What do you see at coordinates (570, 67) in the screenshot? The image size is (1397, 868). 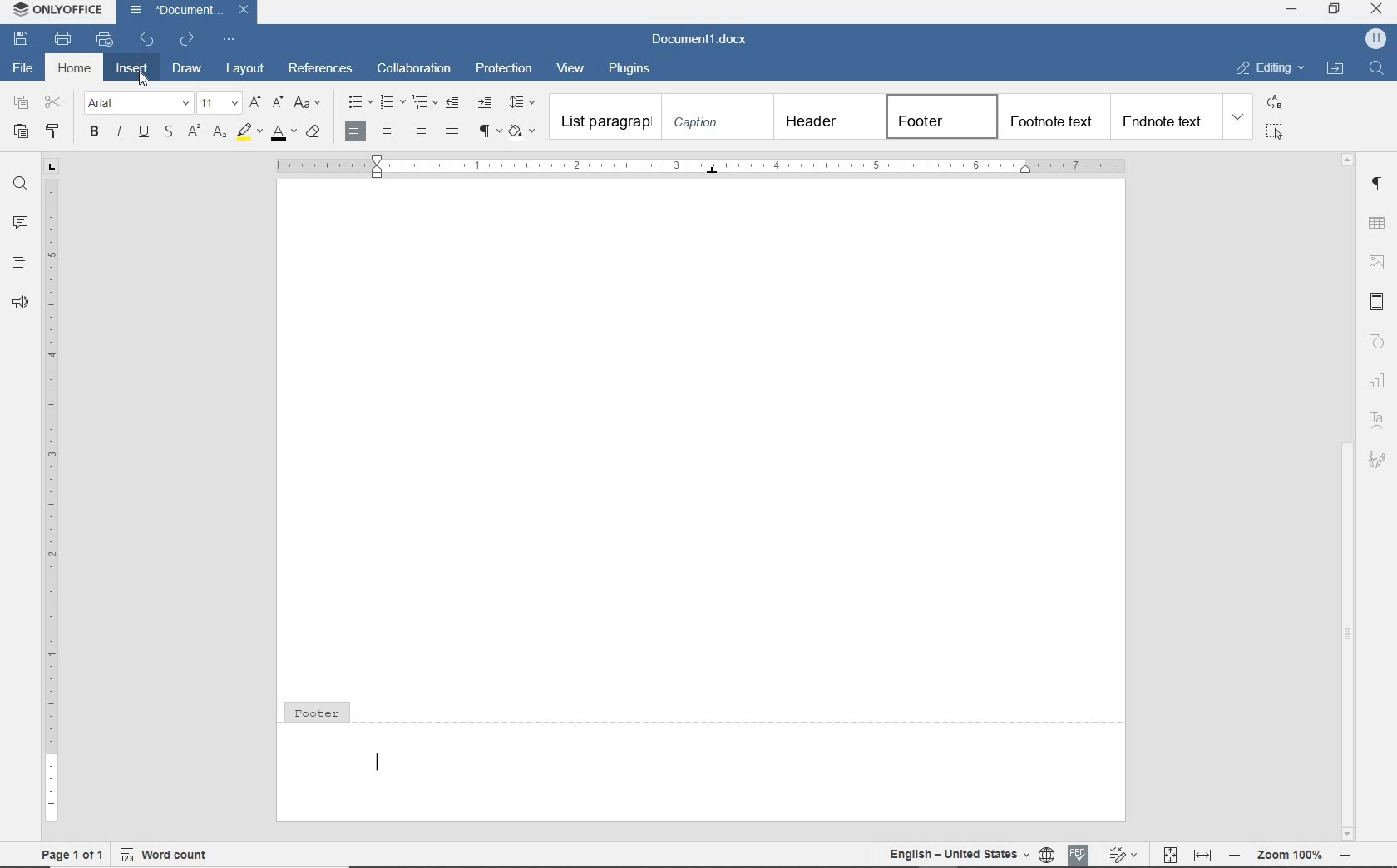 I see `view` at bounding box center [570, 67].